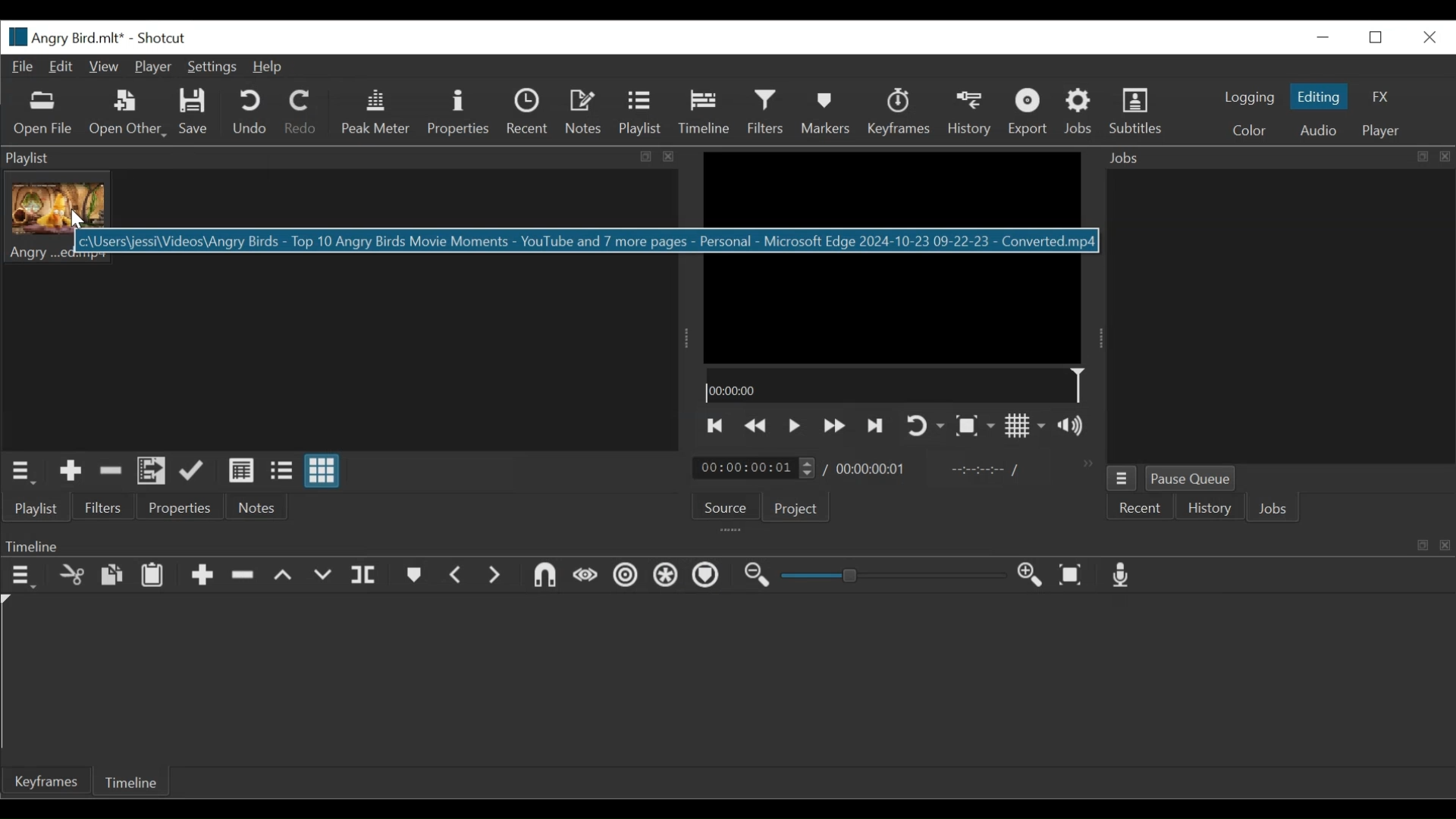 The width and height of the screenshot is (1456, 819). What do you see at coordinates (1122, 576) in the screenshot?
I see `Record audio` at bounding box center [1122, 576].